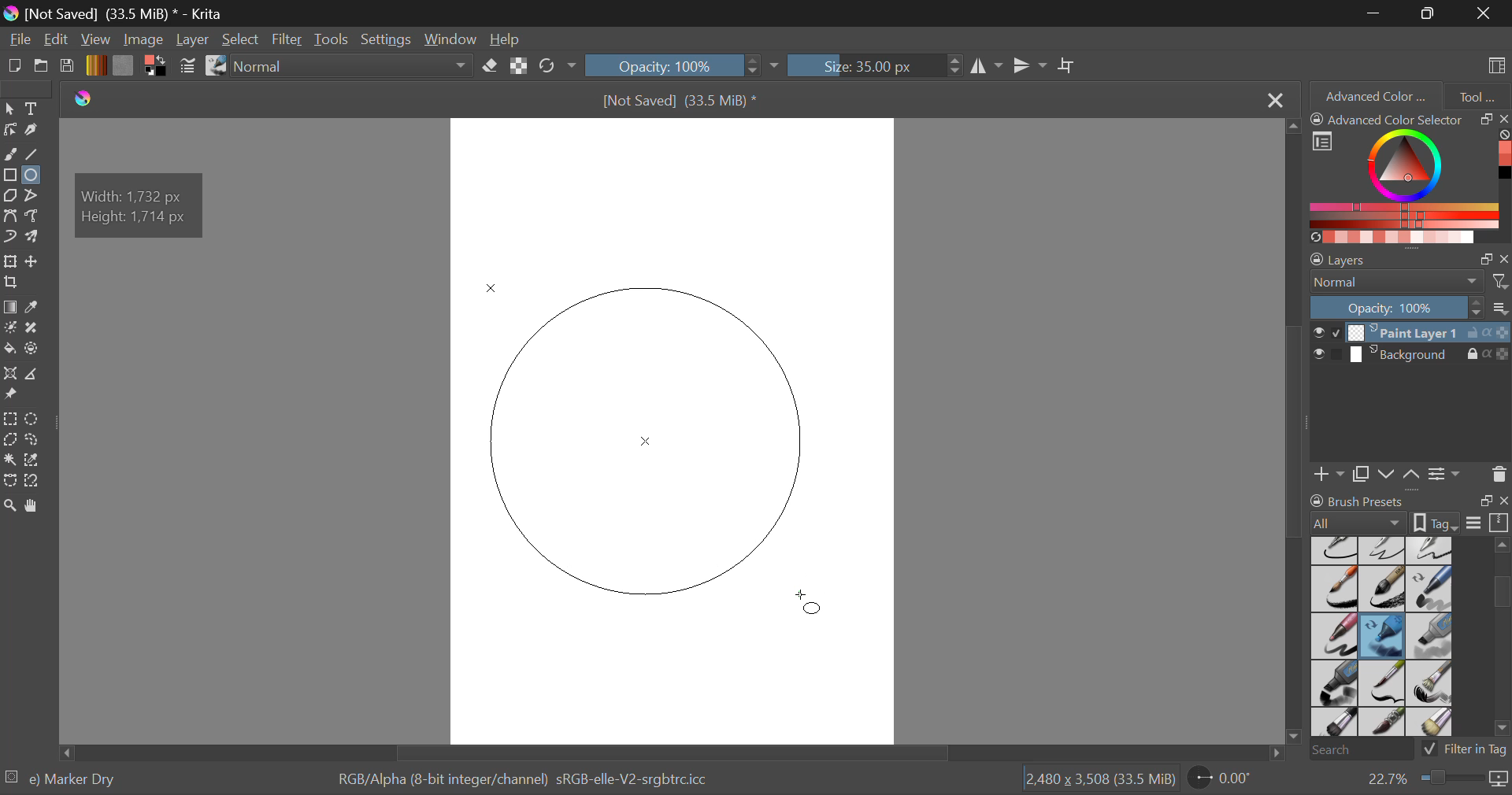  What do you see at coordinates (9, 130) in the screenshot?
I see `Edit Shapes Tool` at bounding box center [9, 130].